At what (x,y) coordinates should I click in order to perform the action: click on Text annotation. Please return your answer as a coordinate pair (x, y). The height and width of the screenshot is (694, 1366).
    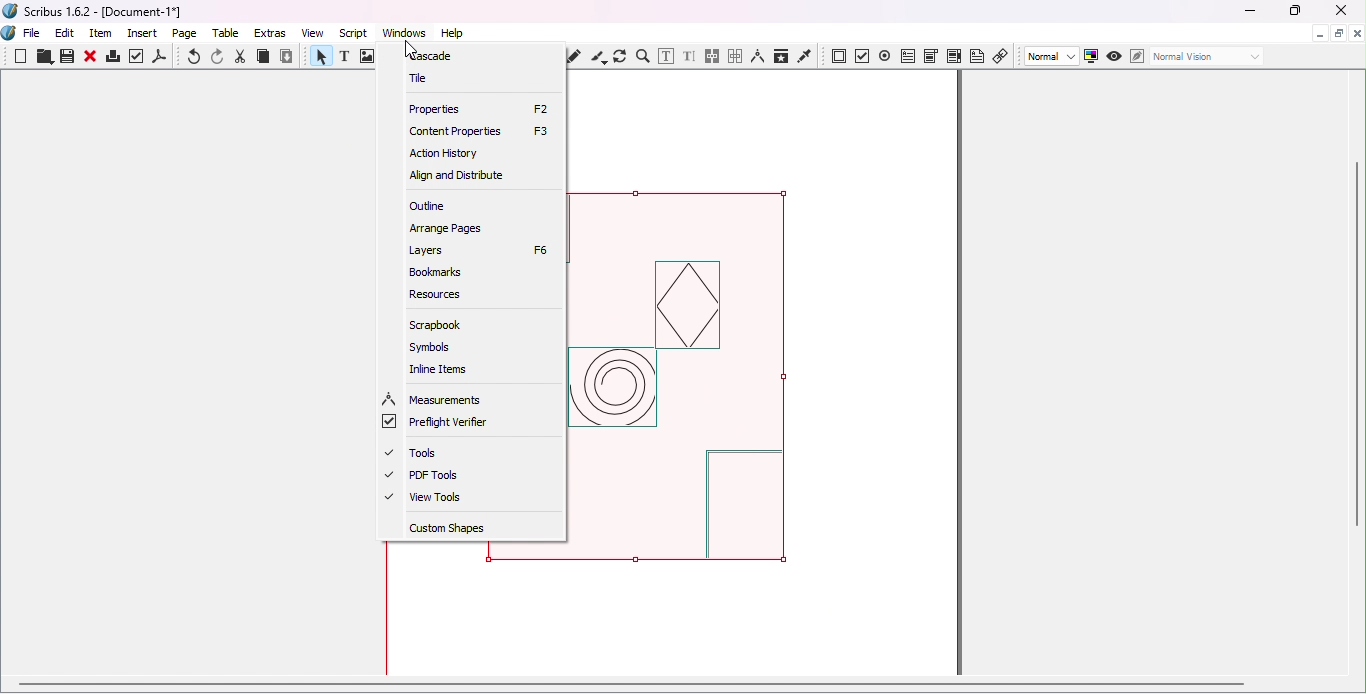
    Looking at the image, I should click on (977, 55).